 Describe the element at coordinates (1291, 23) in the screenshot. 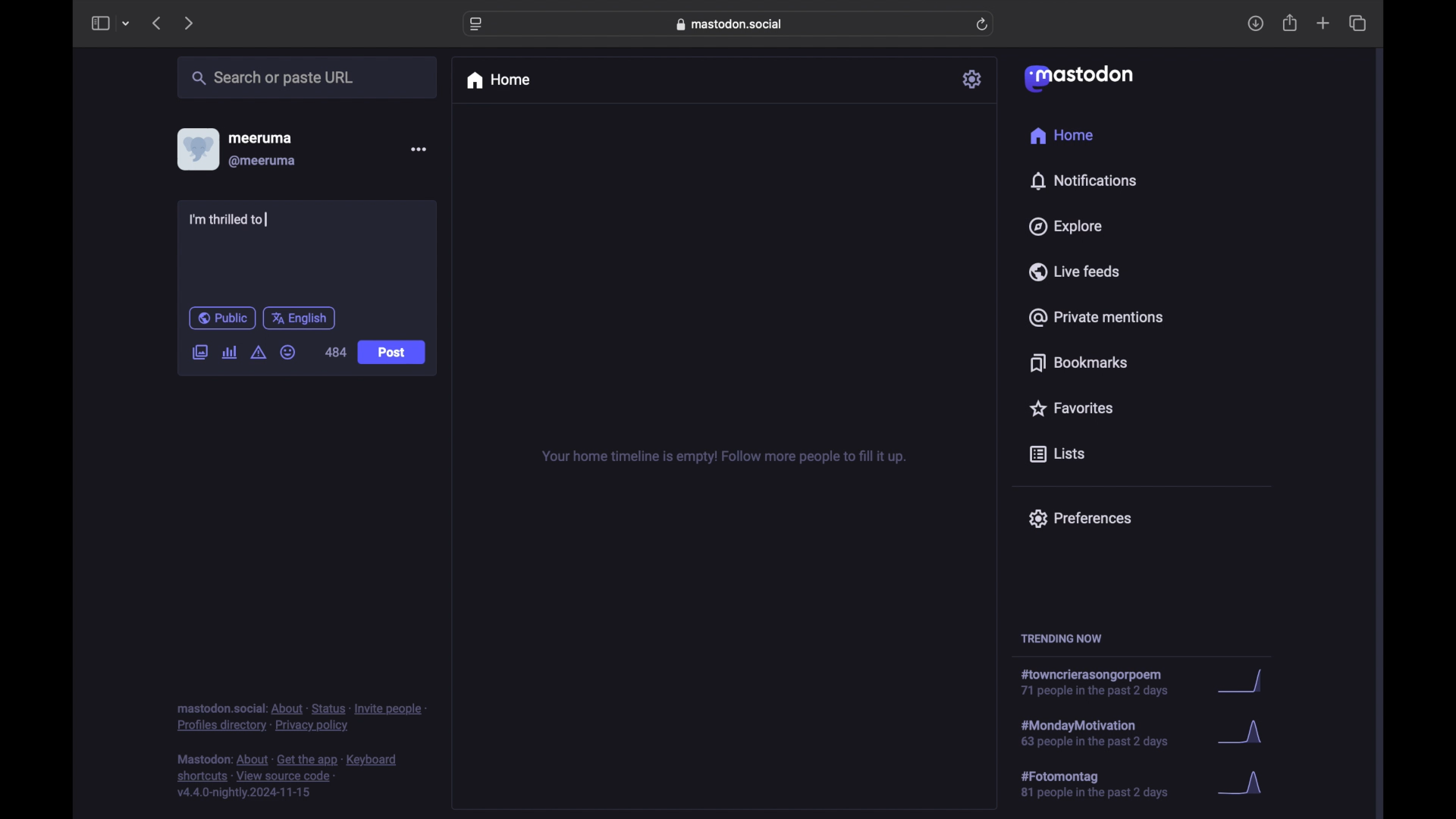

I see `share` at that location.